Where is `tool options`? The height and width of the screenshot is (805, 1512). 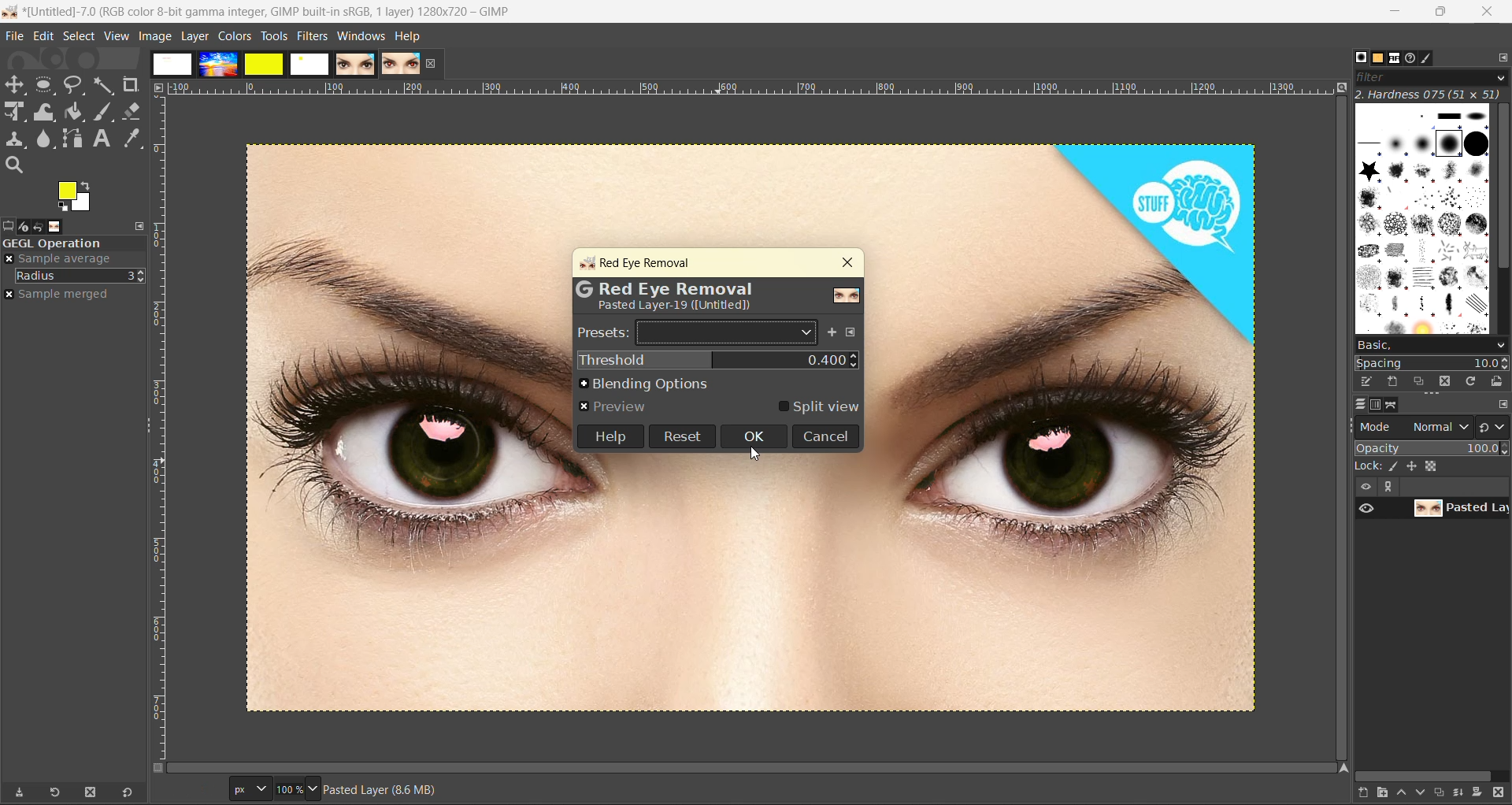
tool options is located at coordinates (9, 224).